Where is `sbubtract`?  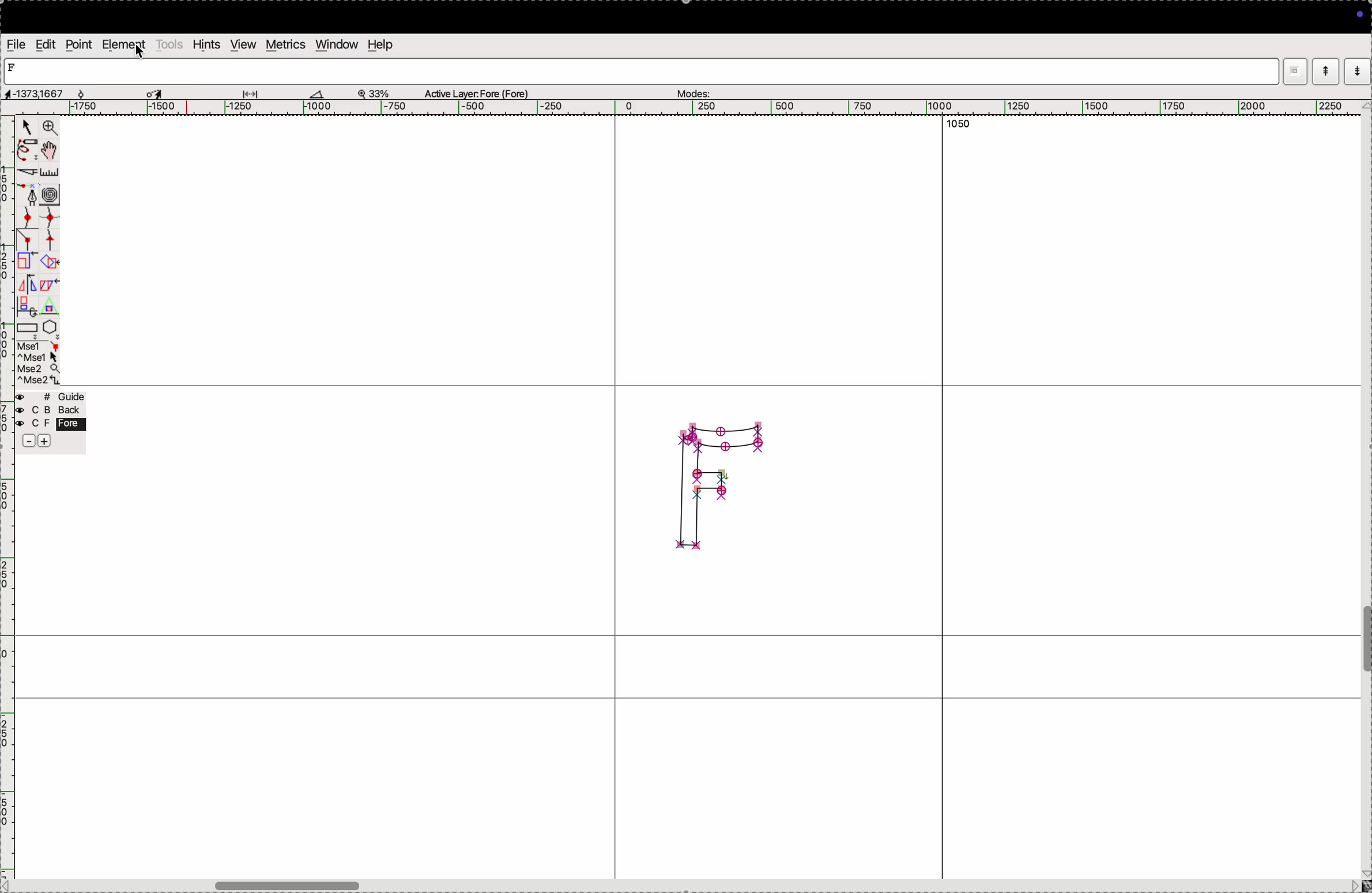 sbubtract is located at coordinates (24, 442).